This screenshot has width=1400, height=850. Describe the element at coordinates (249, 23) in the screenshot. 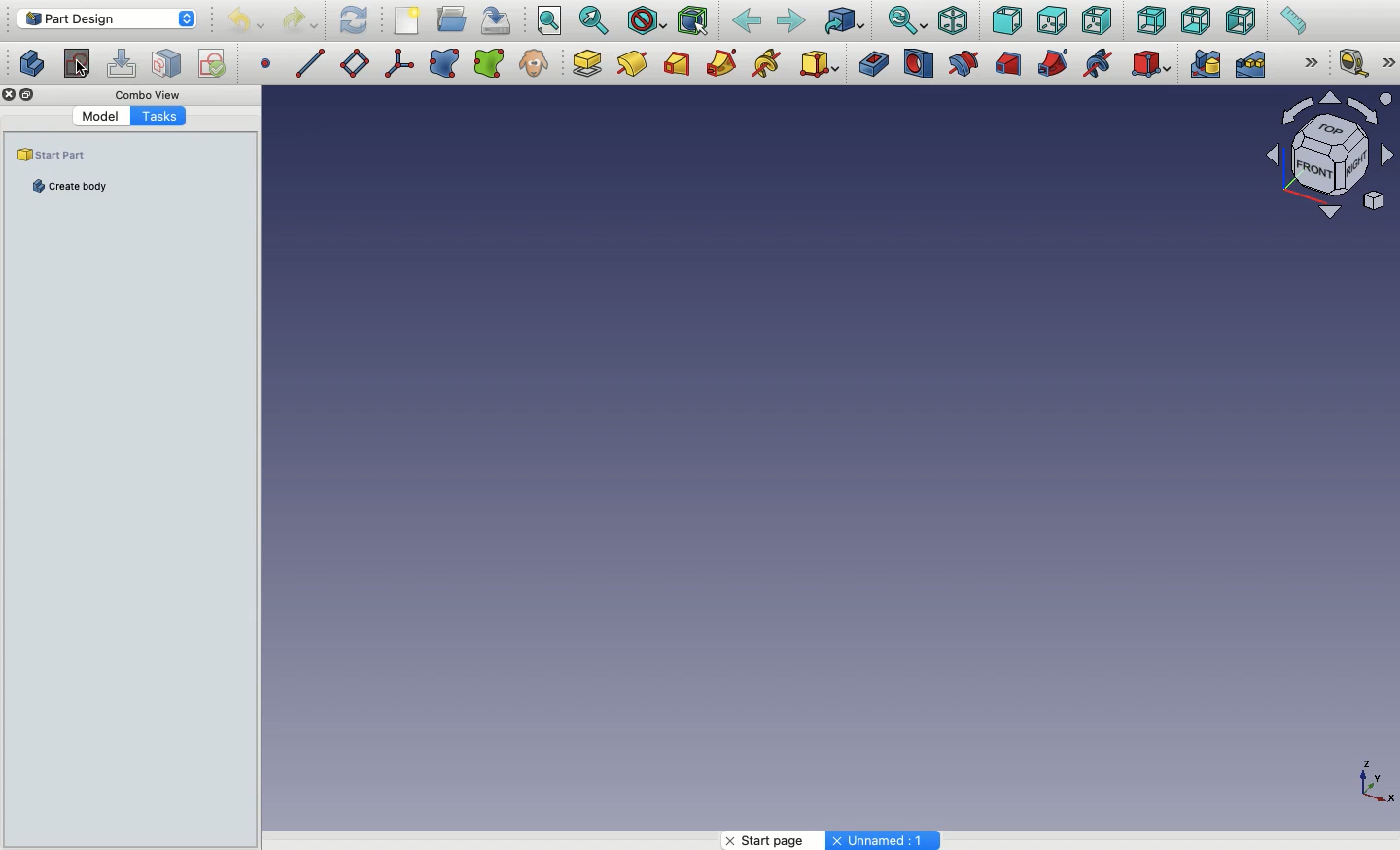

I see `Undo` at that location.